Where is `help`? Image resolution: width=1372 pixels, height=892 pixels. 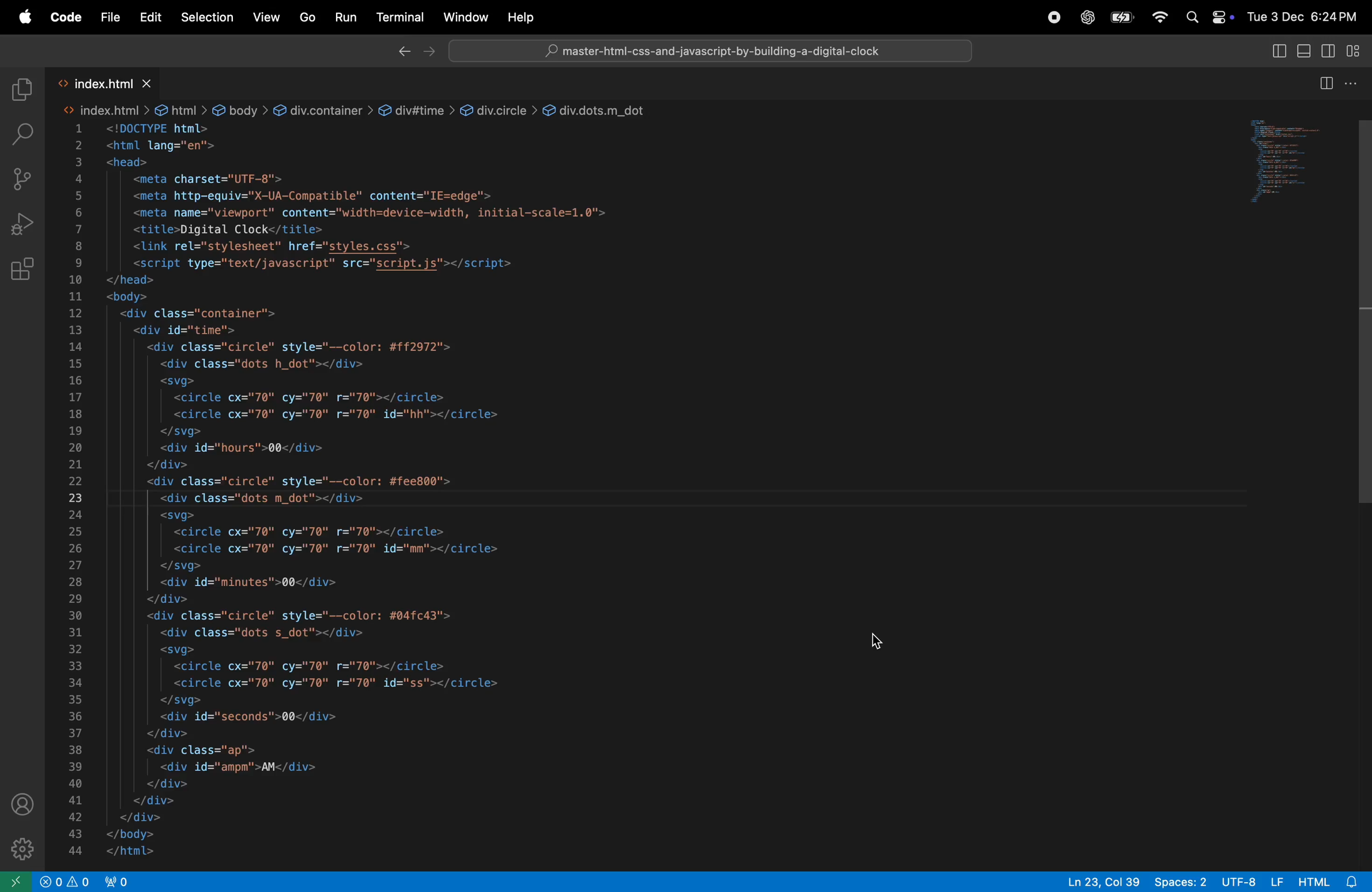
help is located at coordinates (526, 17).